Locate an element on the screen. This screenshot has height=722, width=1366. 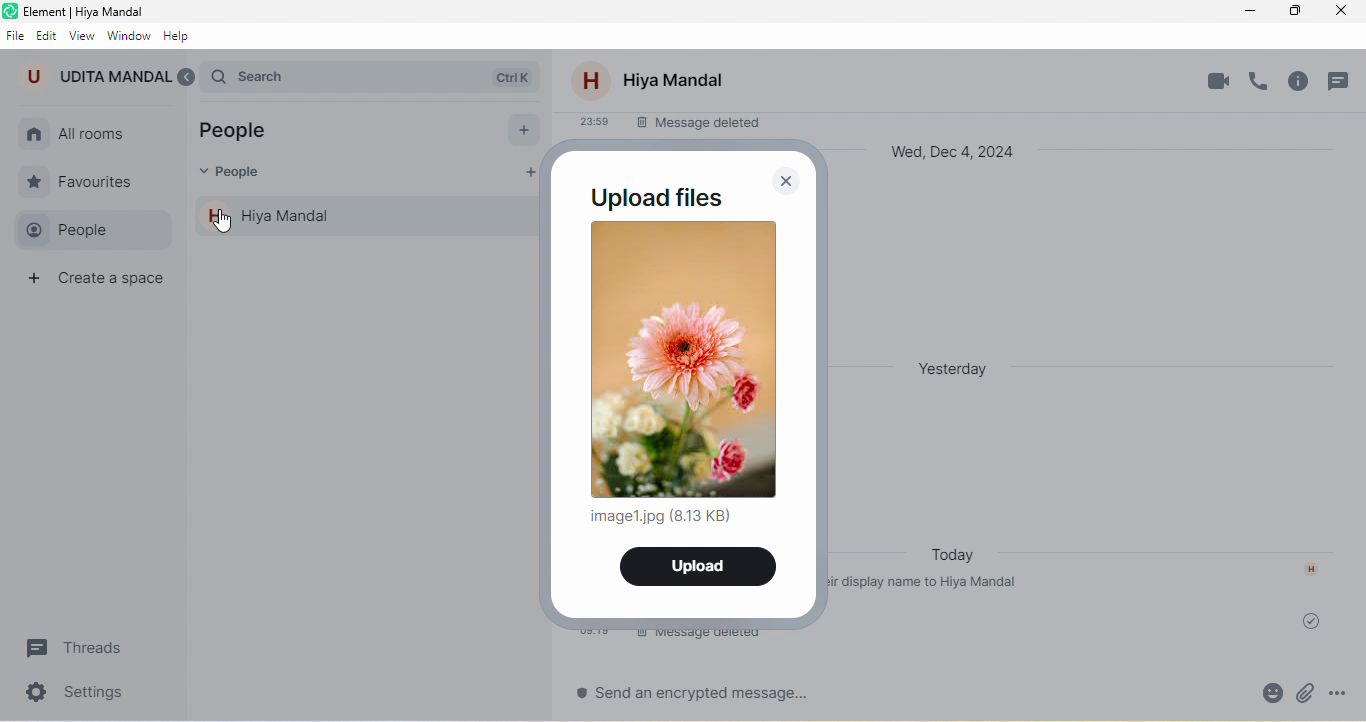
people is located at coordinates (88, 229).